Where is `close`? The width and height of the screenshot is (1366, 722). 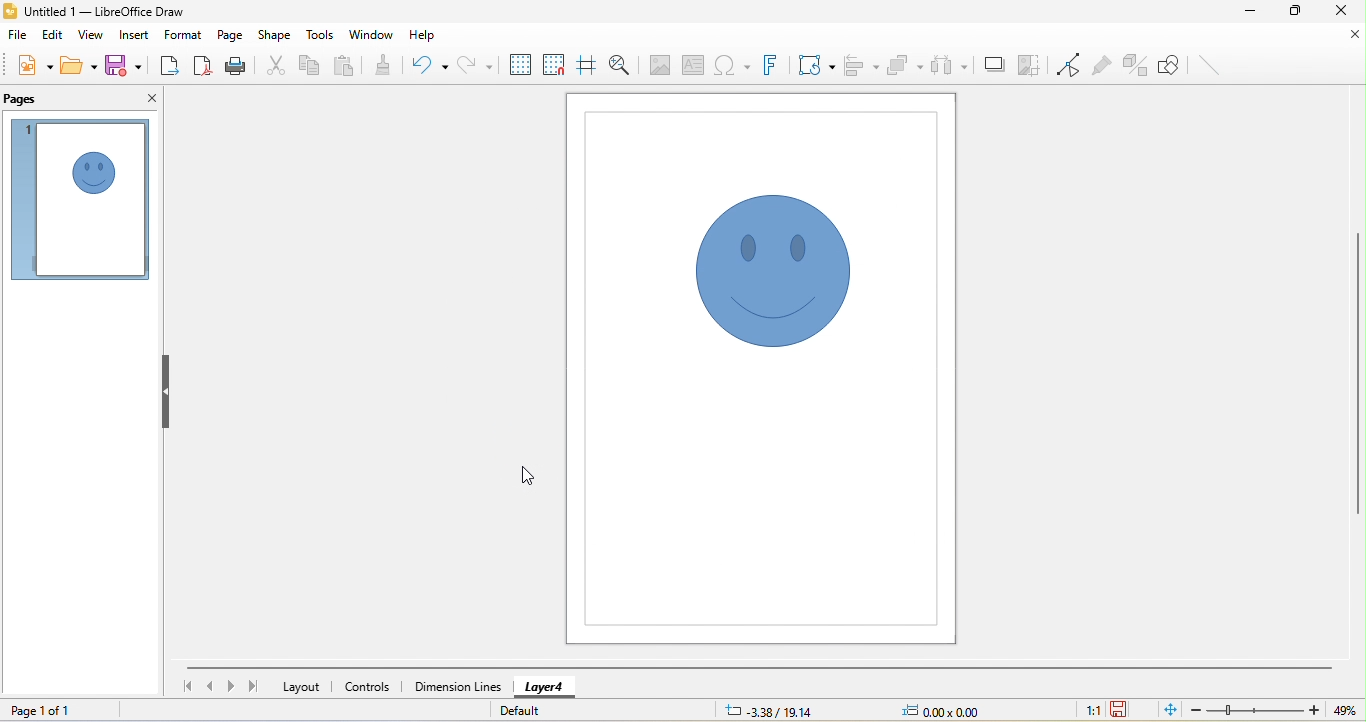 close is located at coordinates (1340, 11).